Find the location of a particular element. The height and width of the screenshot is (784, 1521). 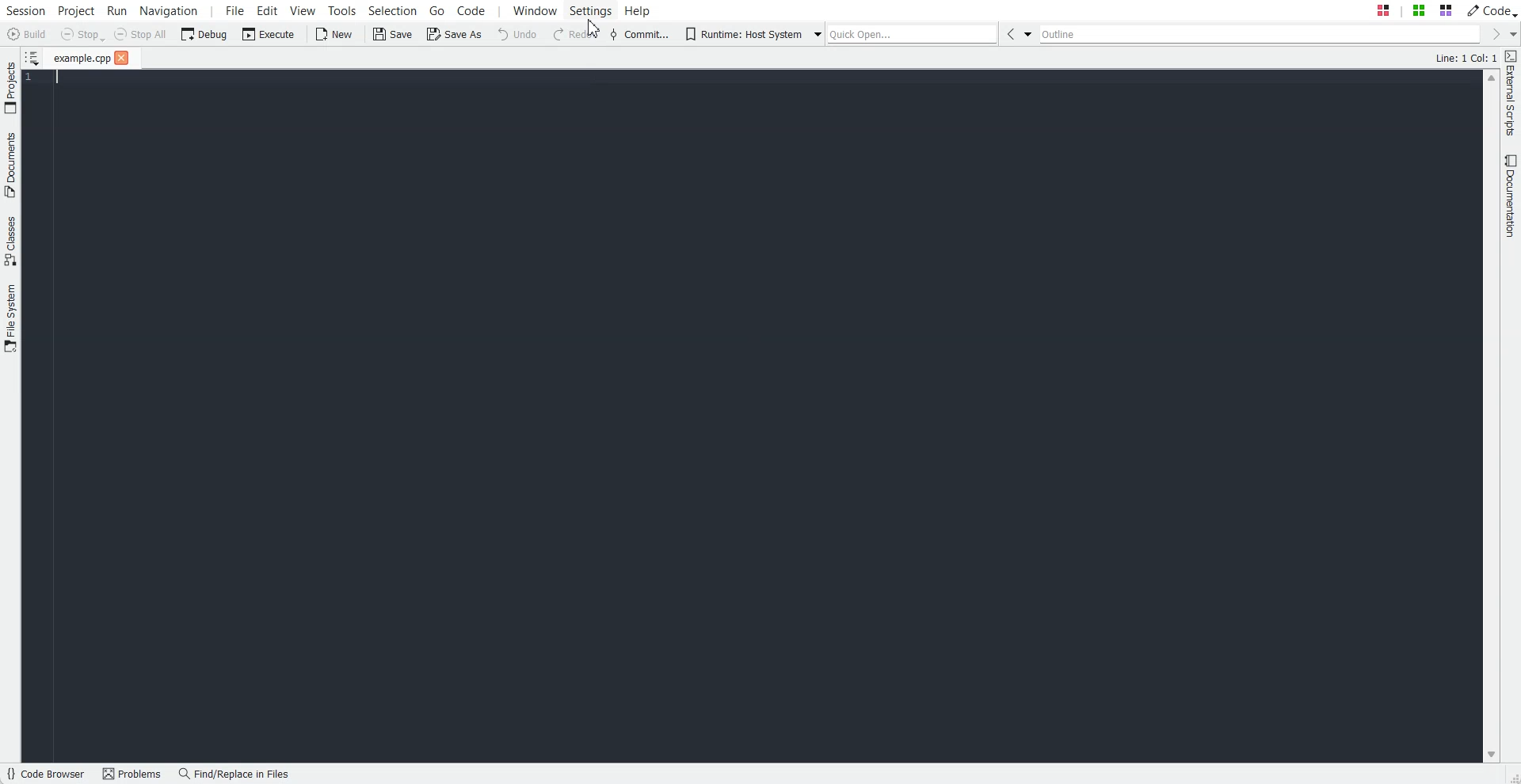

File is located at coordinates (81, 58).